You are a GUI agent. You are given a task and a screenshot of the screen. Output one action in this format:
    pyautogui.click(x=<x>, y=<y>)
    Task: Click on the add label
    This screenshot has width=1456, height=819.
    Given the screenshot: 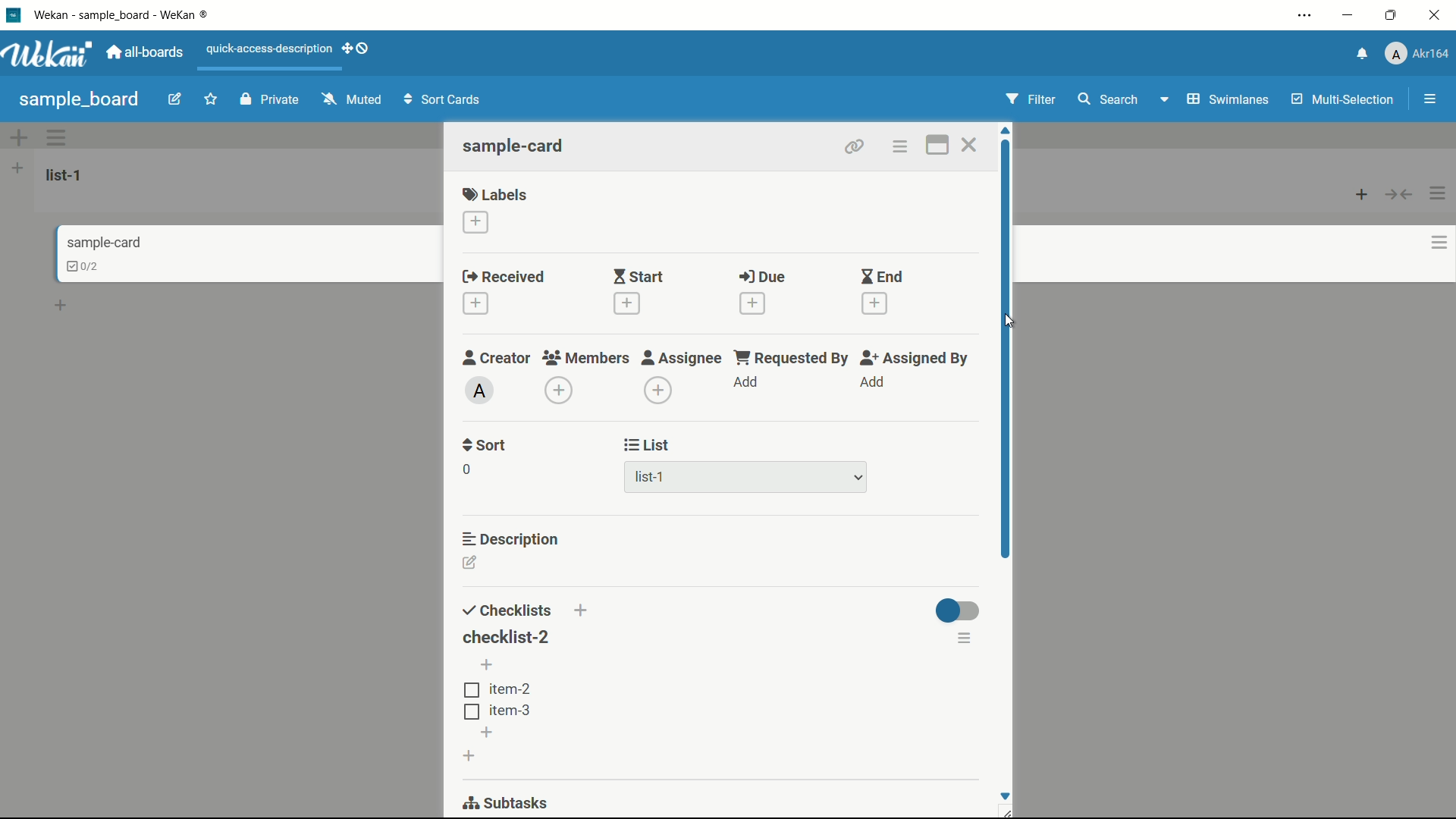 What is the action you would take?
    pyautogui.click(x=475, y=222)
    